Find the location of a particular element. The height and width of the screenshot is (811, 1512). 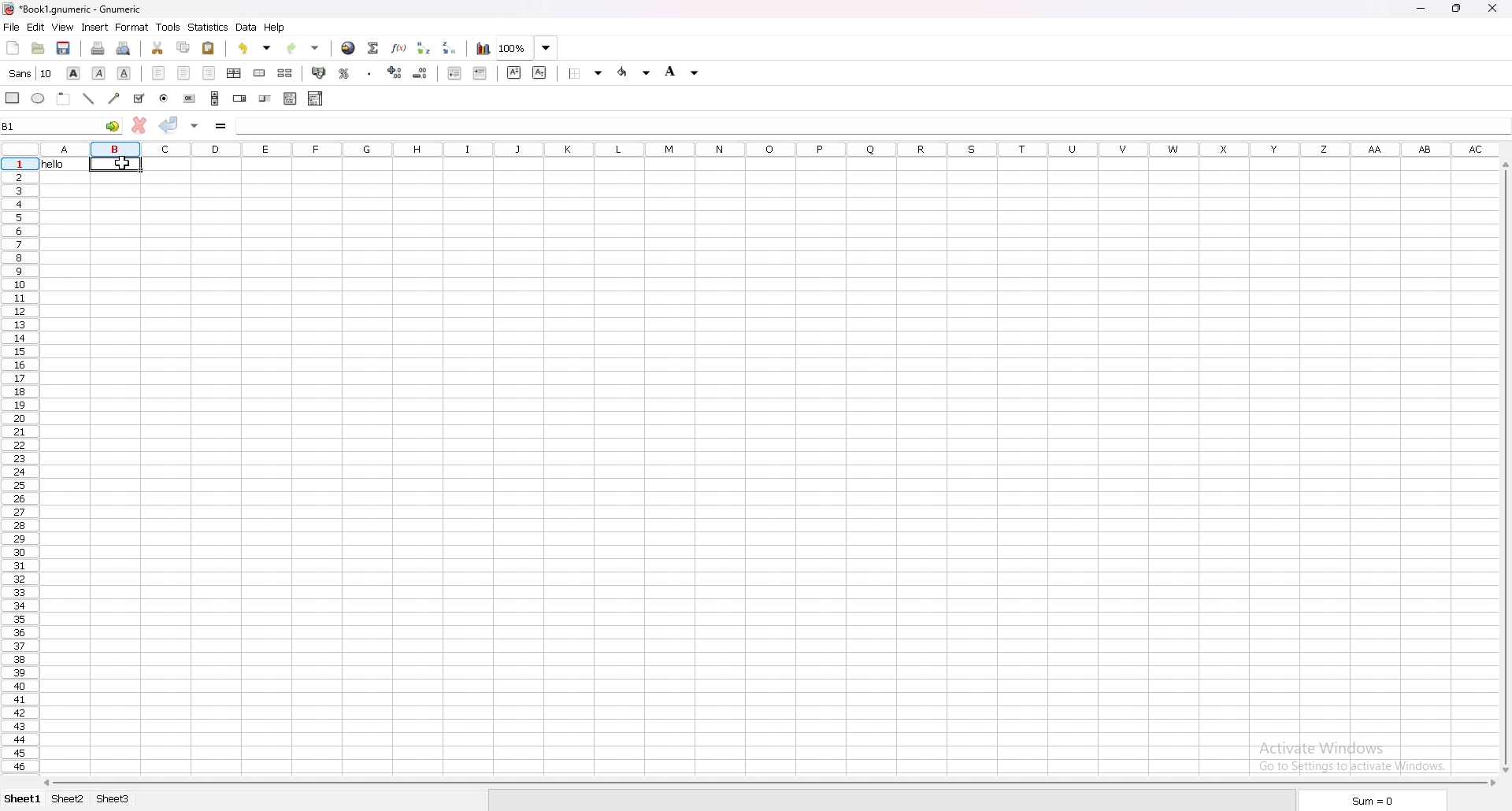

decrease indent is located at coordinates (455, 72).